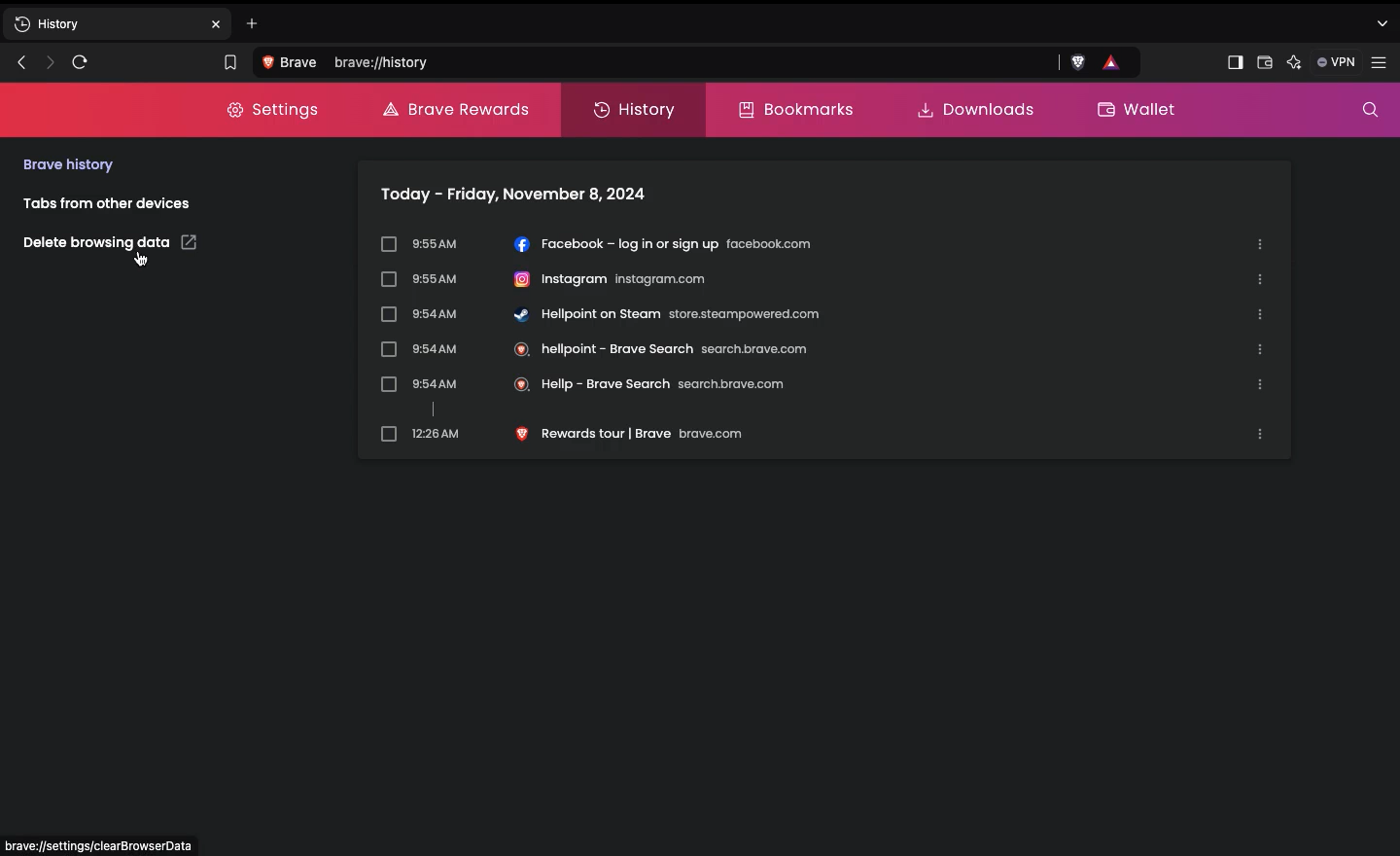  Describe the element at coordinates (256, 20) in the screenshot. I see `Add new tab` at that location.